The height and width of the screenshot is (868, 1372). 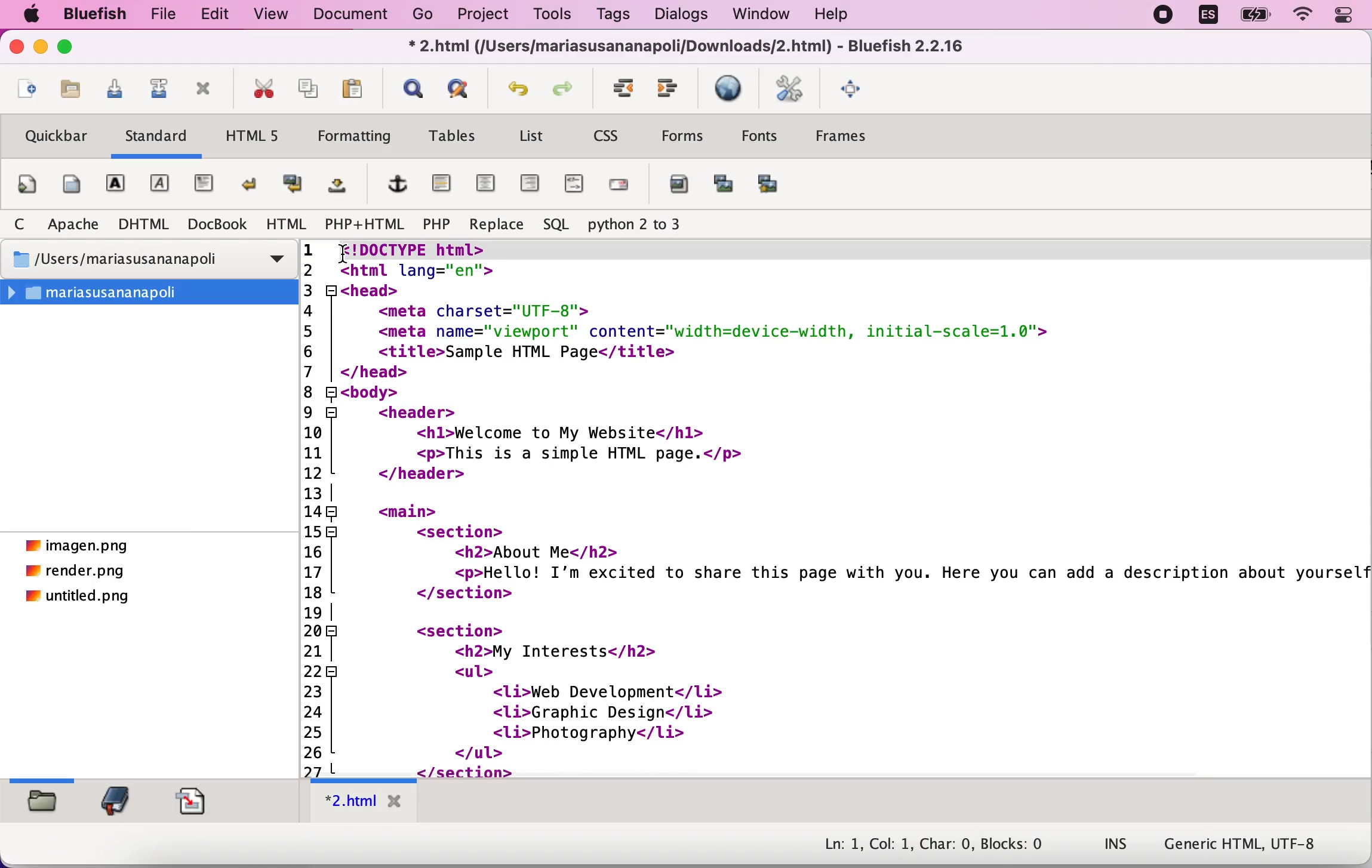 What do you see at coordinates (273, 14) in the screenshot?
I see `view` at bounding box center [273, 14].